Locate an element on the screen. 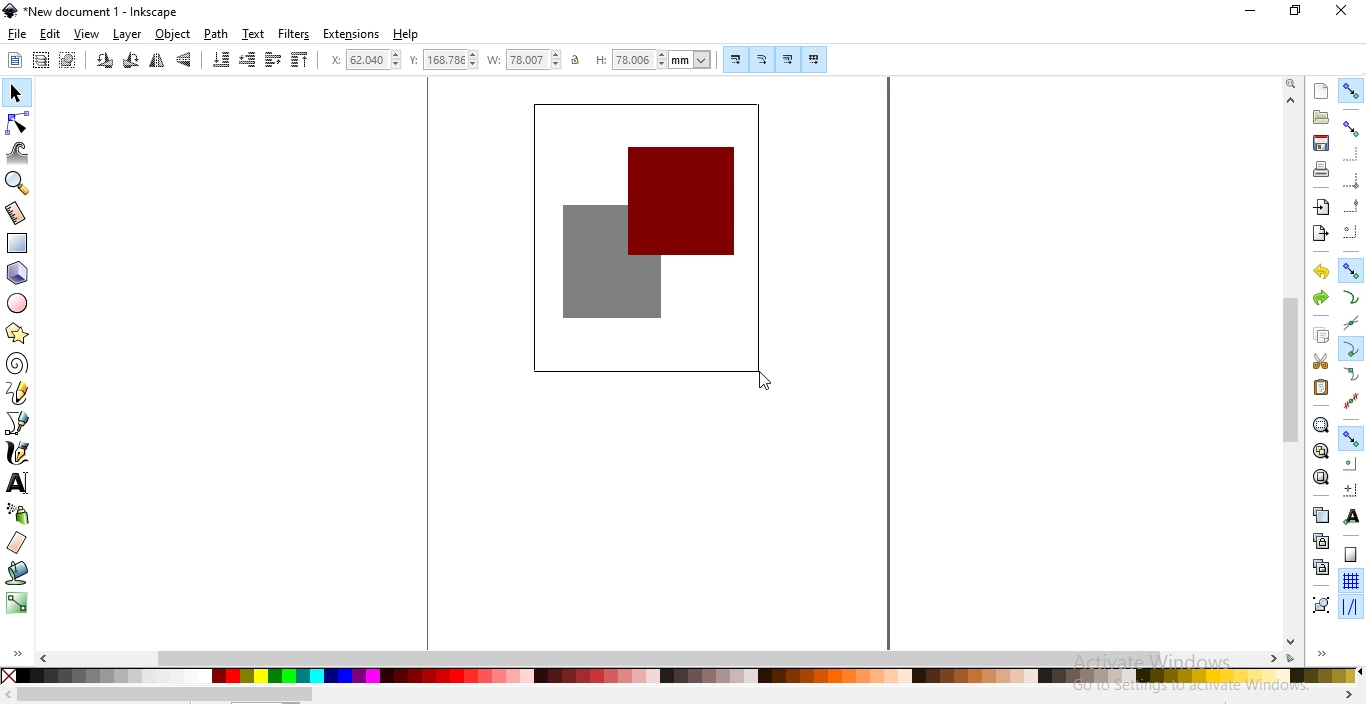 The width and height of the screenshot is (1366, 704). undo is located at coordinates (1321, 272).